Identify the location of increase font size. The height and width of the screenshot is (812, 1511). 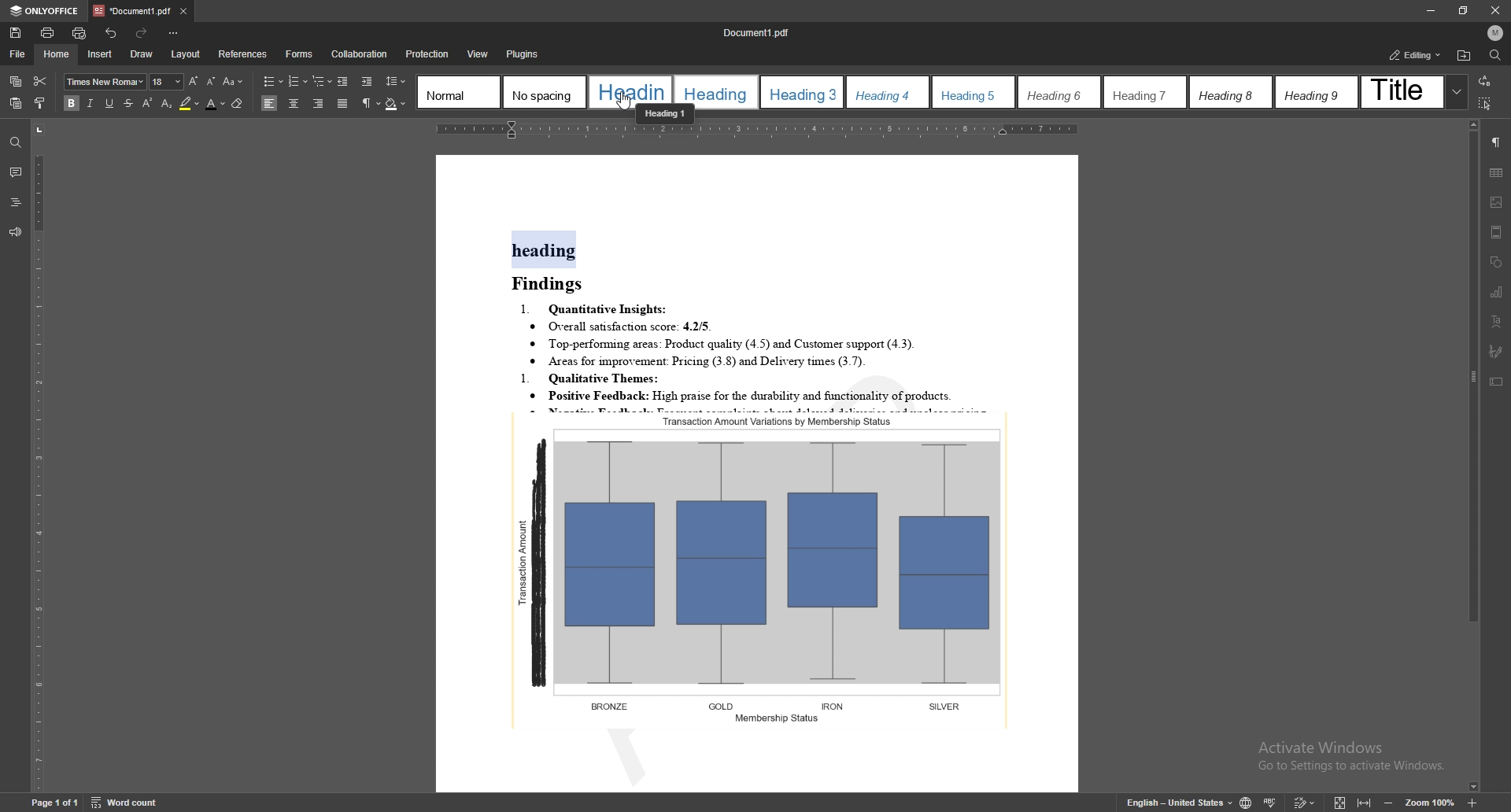
(193, 81).